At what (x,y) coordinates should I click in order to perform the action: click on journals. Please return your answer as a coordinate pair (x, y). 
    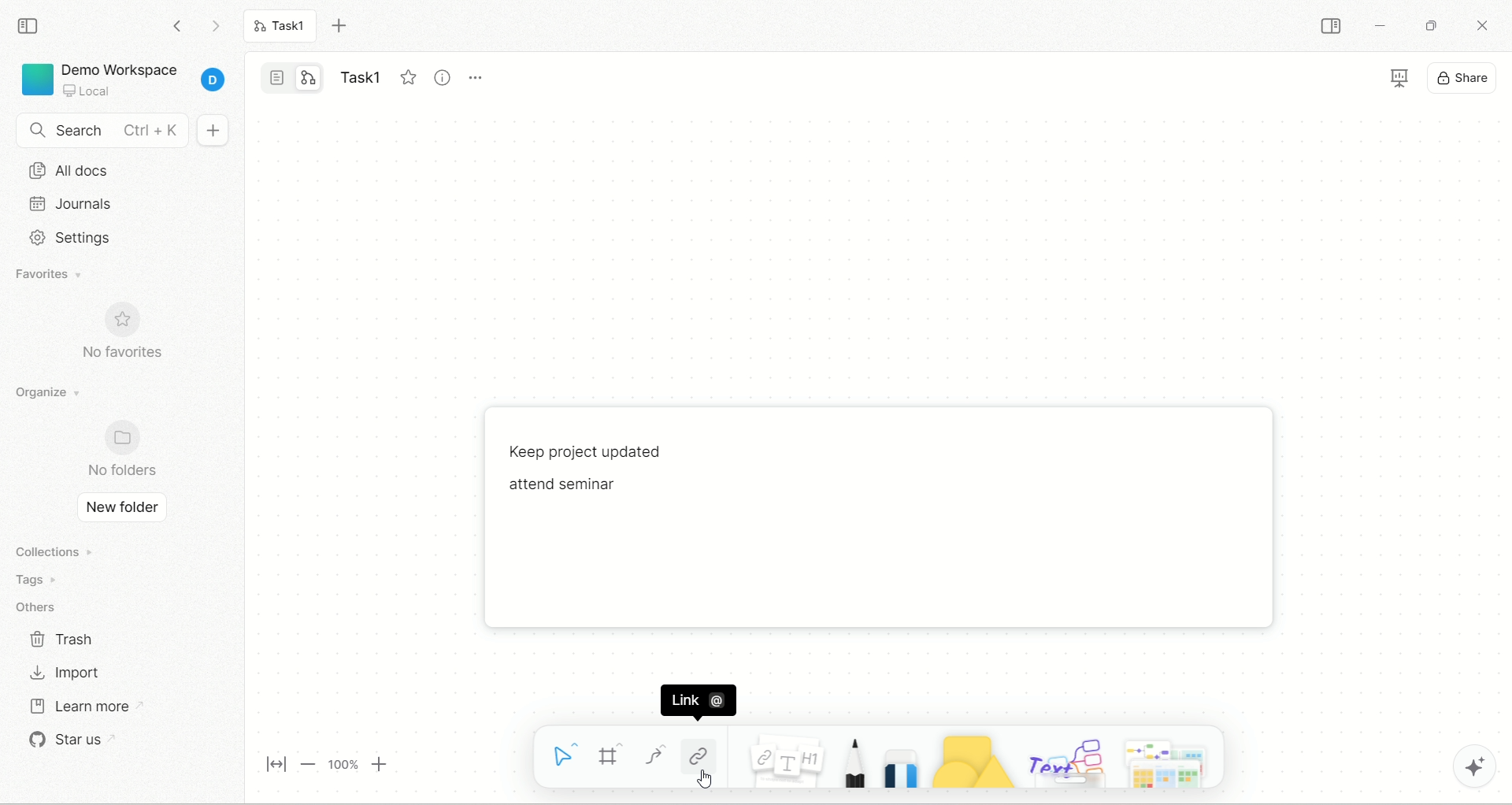
    Looking at the image, I should click on (112, 204).